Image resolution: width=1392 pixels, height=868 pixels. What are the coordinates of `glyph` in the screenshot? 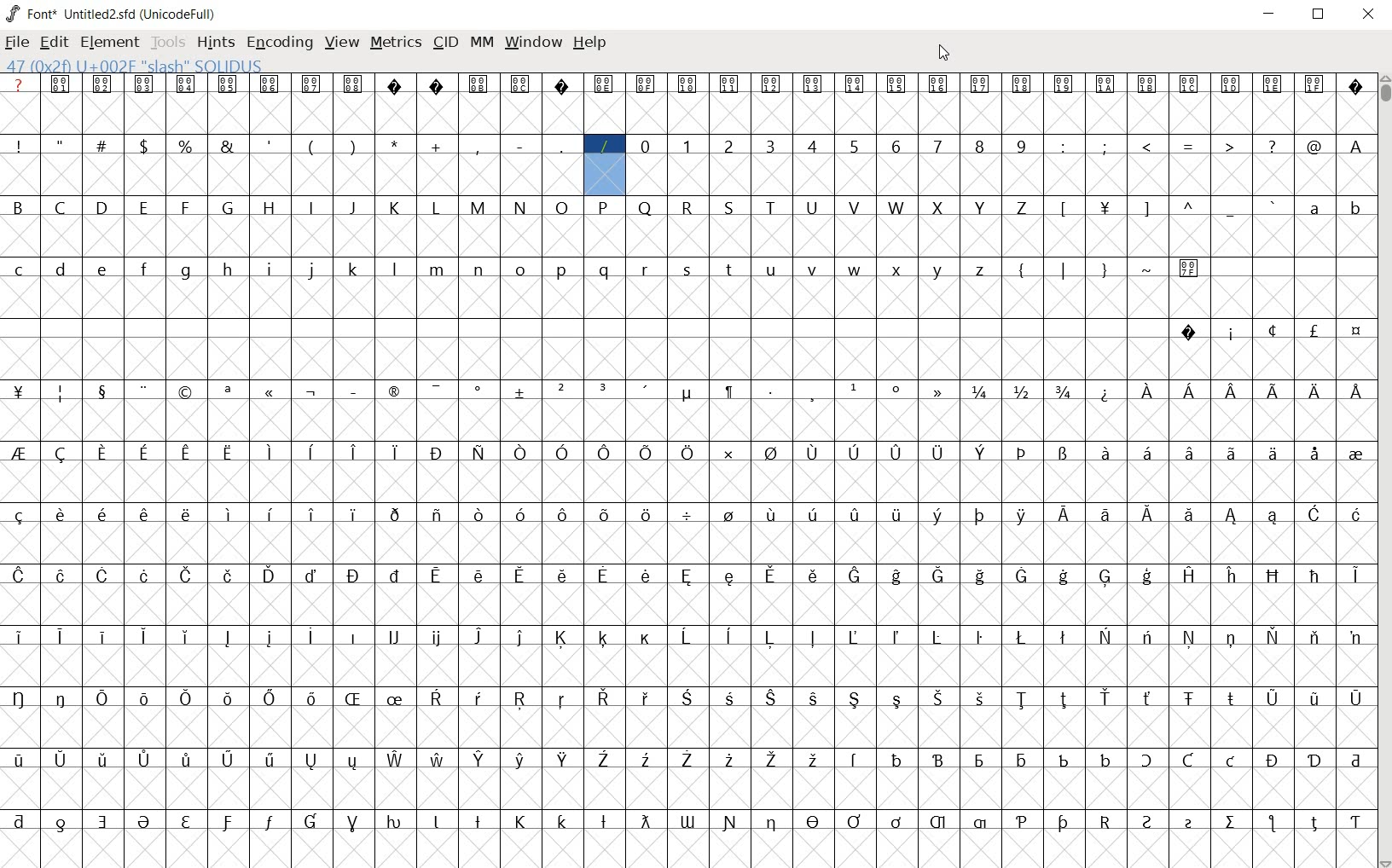 It's located at (352, 698).